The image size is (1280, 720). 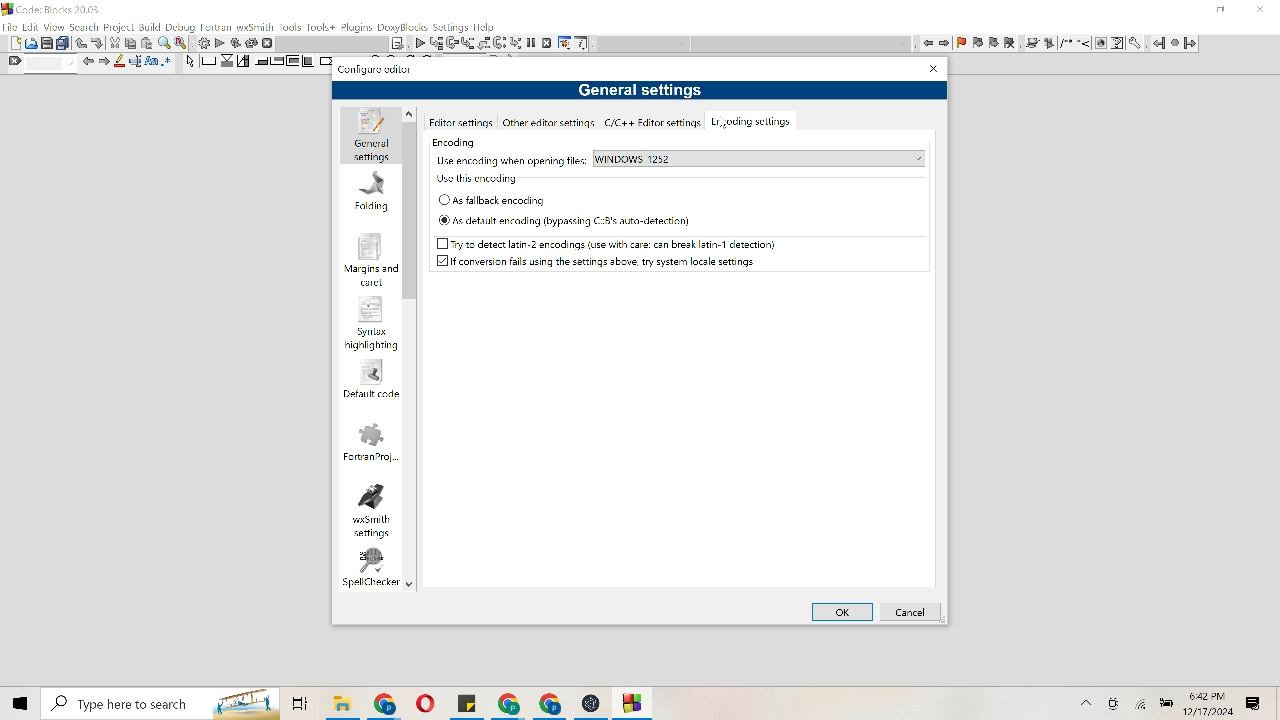 I want to click on Code Blocks 20.3, so click(x=50, y=8).